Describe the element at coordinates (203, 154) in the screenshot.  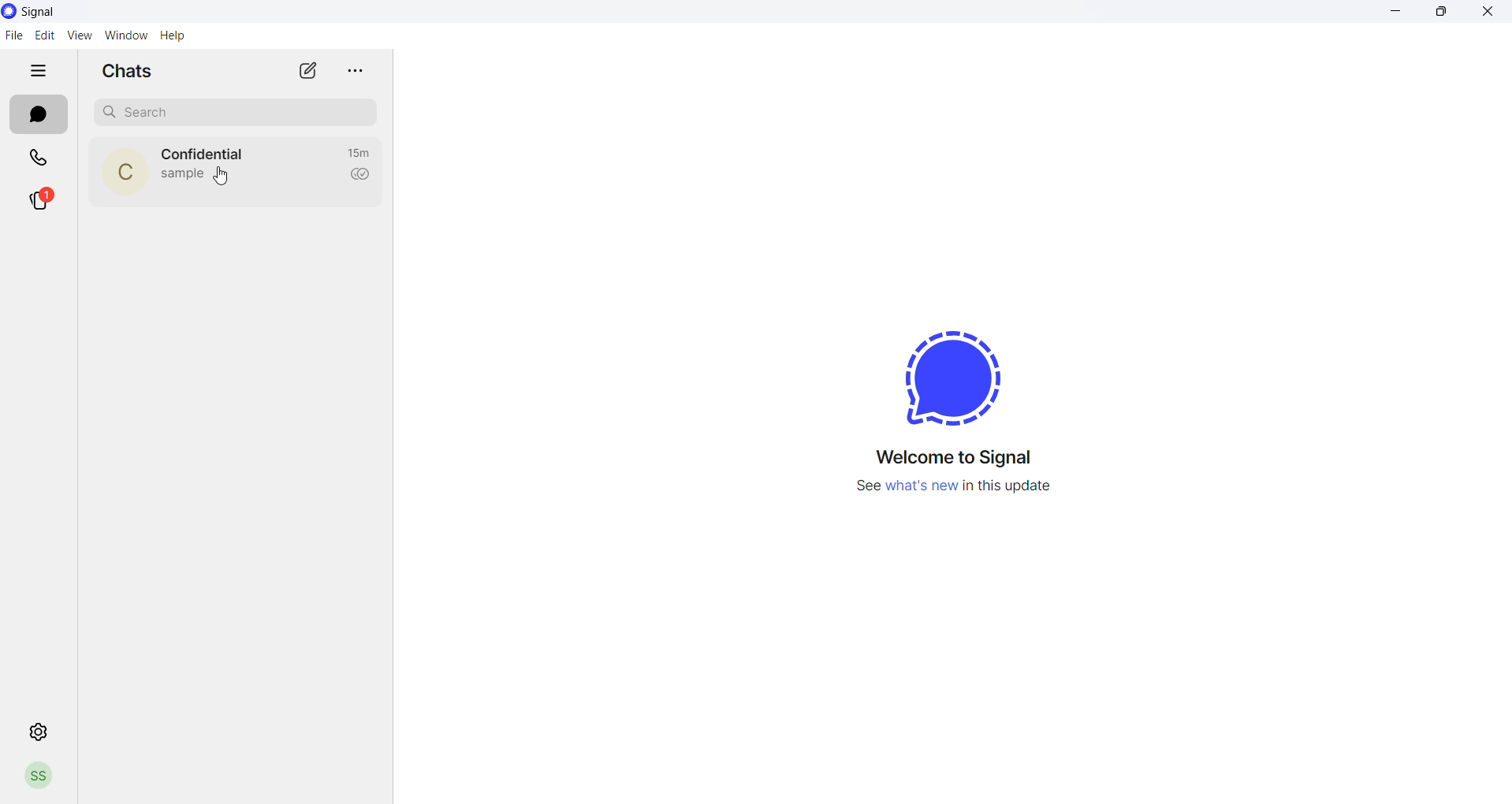
I see `confidential` at that location.